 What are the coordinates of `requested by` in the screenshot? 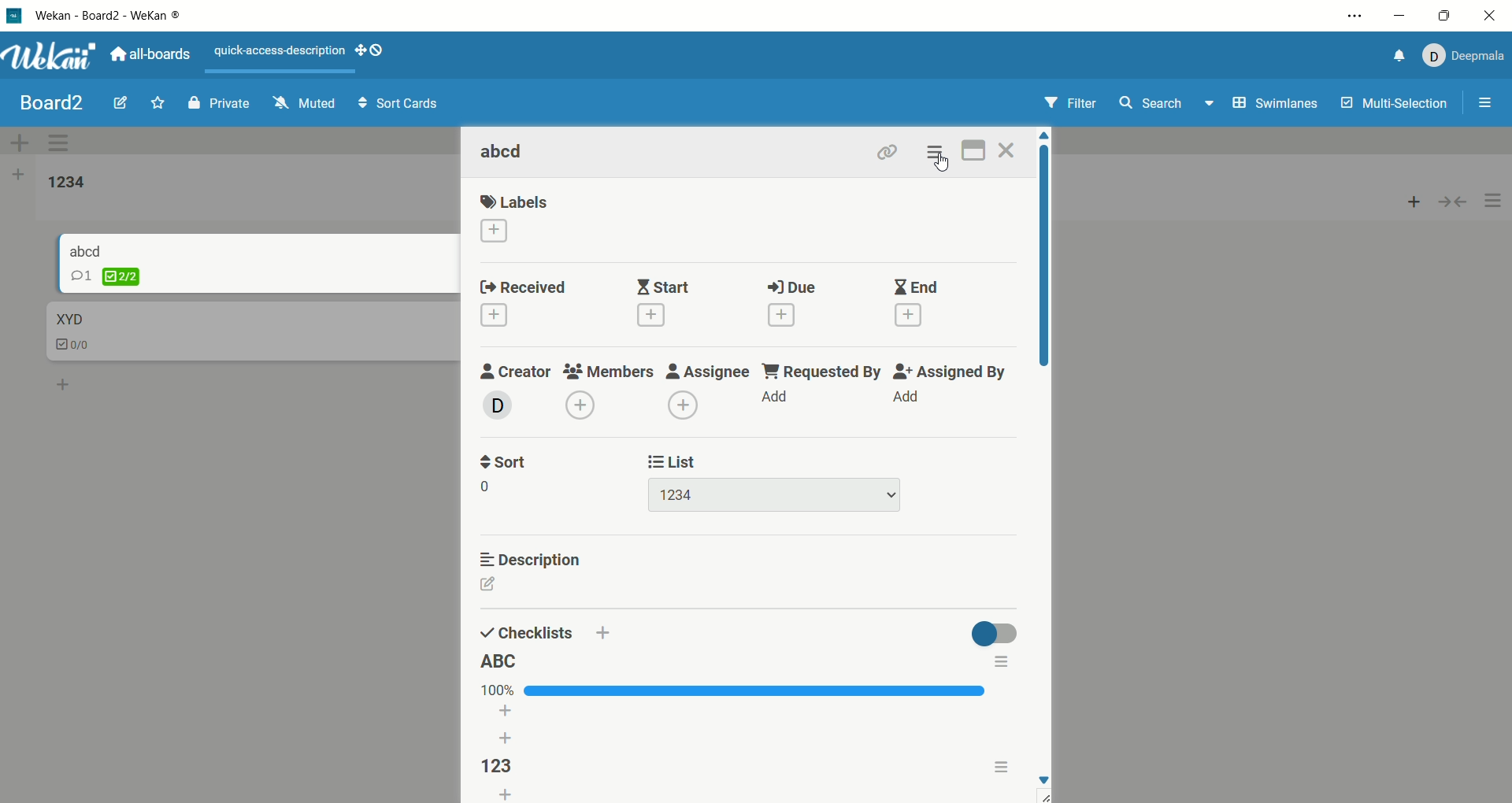 It's located at (821, 385).